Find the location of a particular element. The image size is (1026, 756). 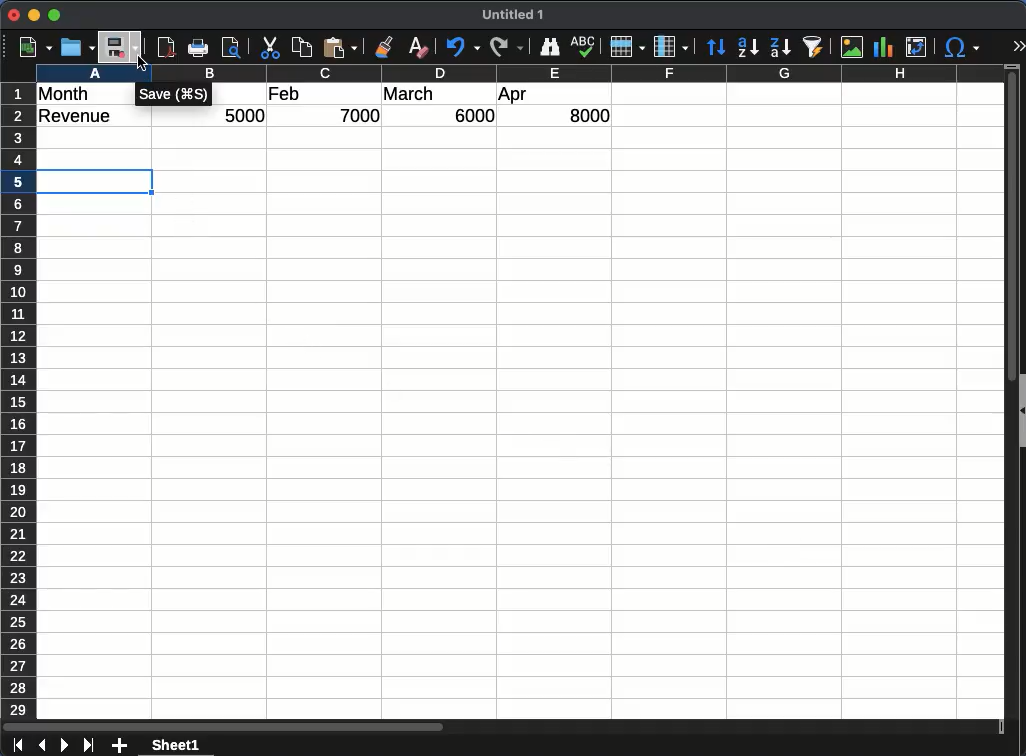

maximize is located at coordinates (56, 15).